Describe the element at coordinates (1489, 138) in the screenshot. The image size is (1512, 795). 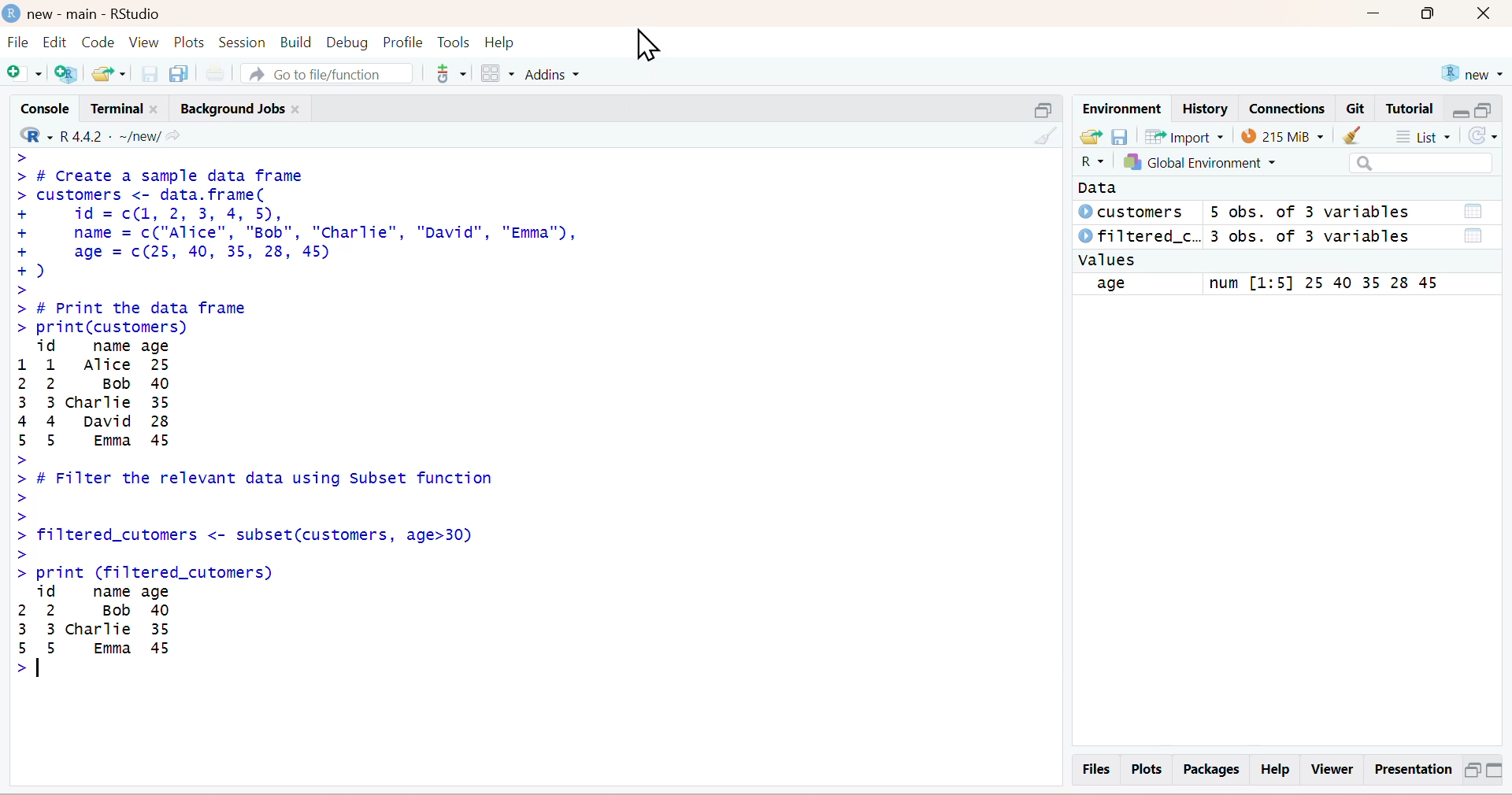
I see `refresh` at that location.